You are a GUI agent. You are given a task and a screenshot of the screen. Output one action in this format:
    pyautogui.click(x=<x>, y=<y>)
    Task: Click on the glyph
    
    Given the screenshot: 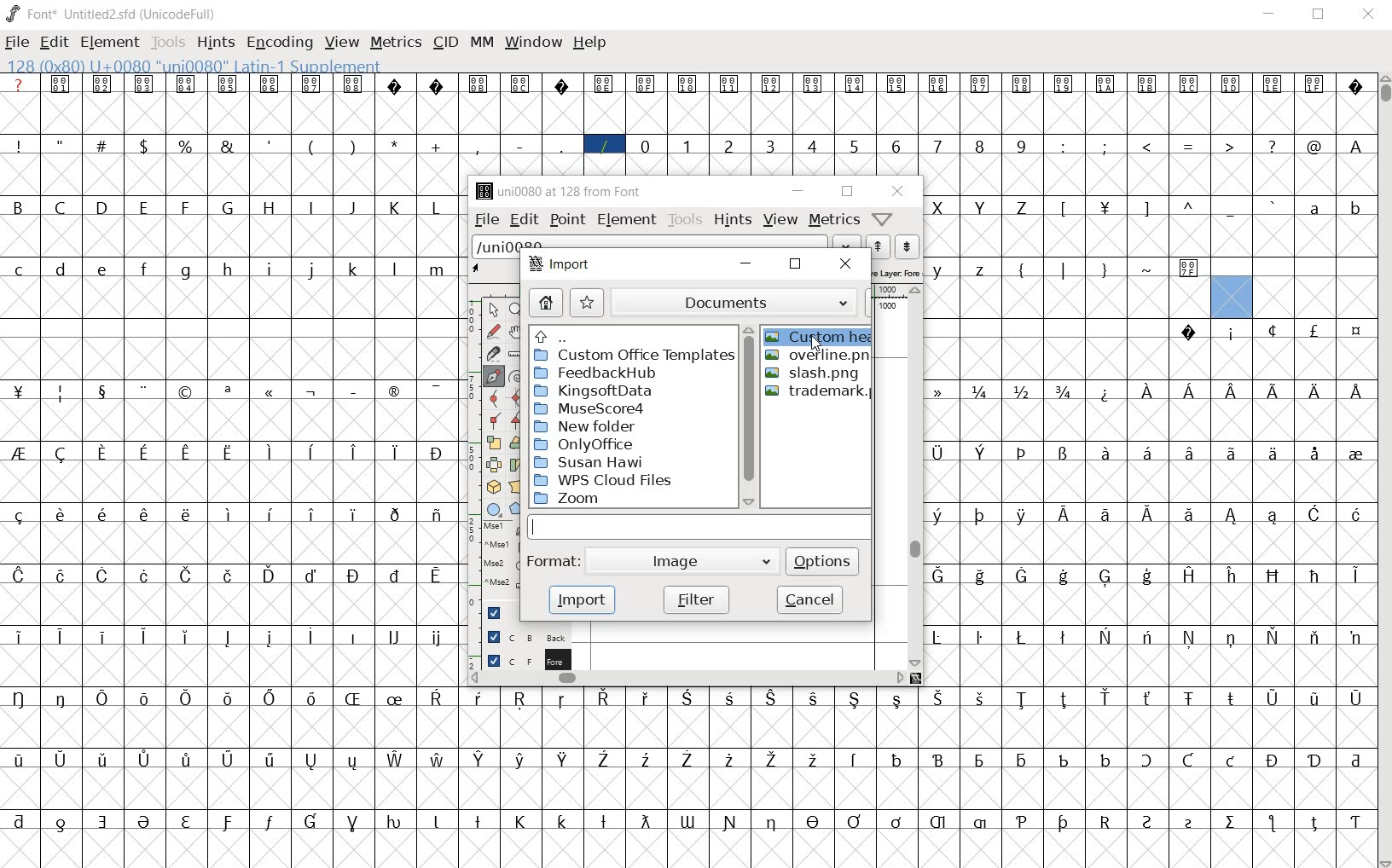 What is the action you would take?
    pyautogui.click(x=61, y=698)
    